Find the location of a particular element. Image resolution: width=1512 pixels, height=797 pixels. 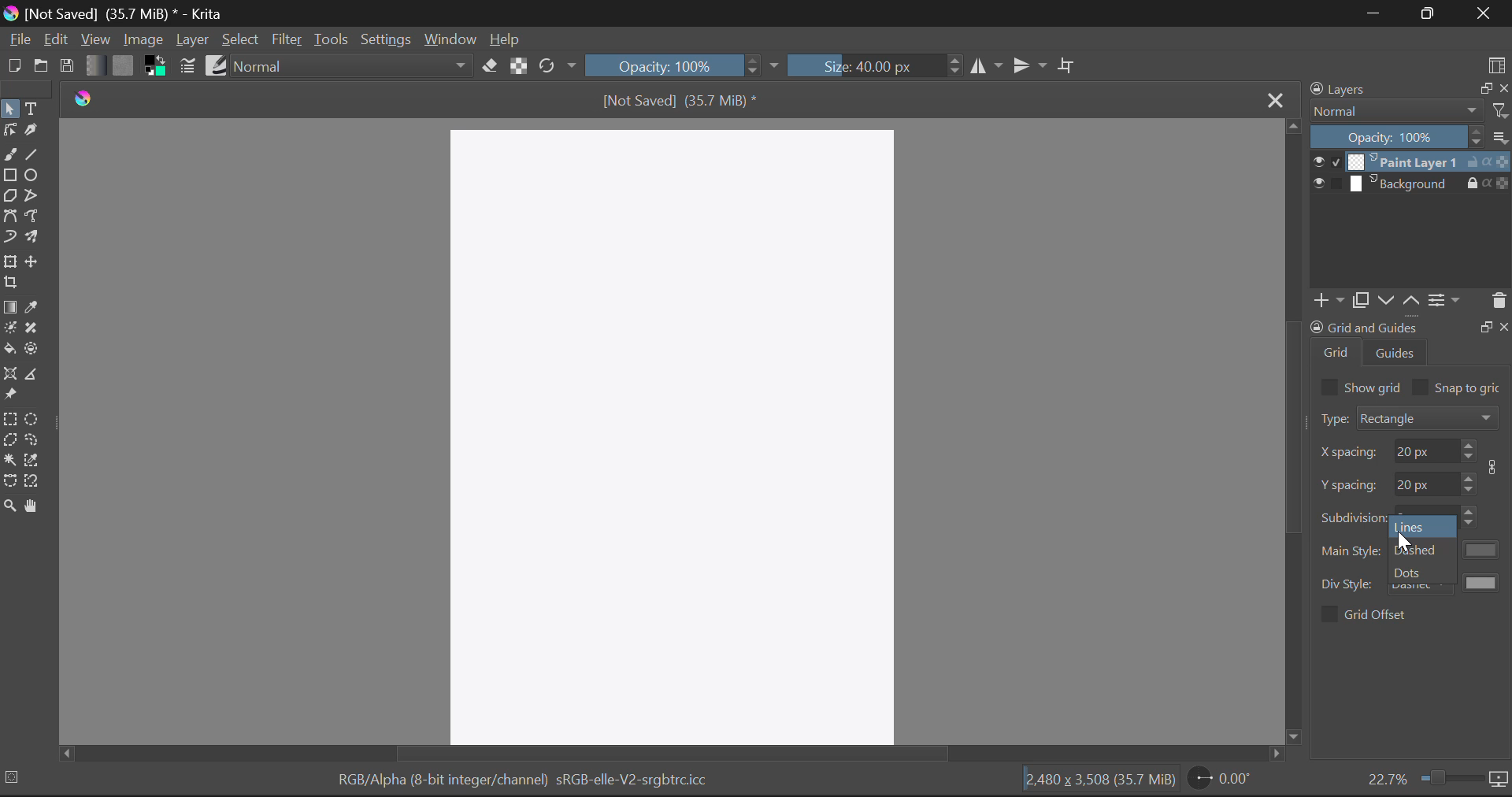

up is located at coordinates (1410, 301).